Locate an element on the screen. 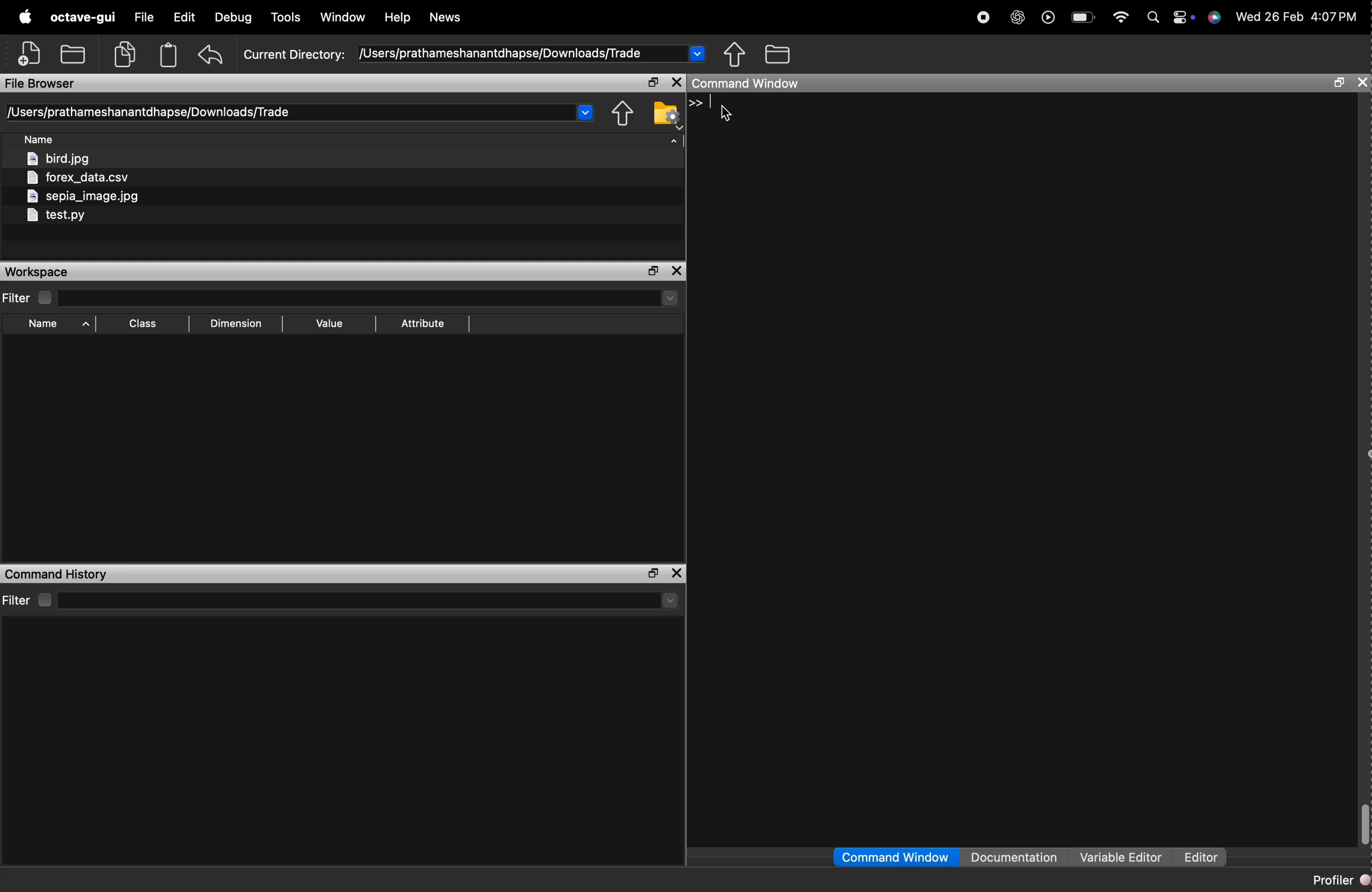 The image size is (1372, 892). add file is located at coordinates (31, 54).